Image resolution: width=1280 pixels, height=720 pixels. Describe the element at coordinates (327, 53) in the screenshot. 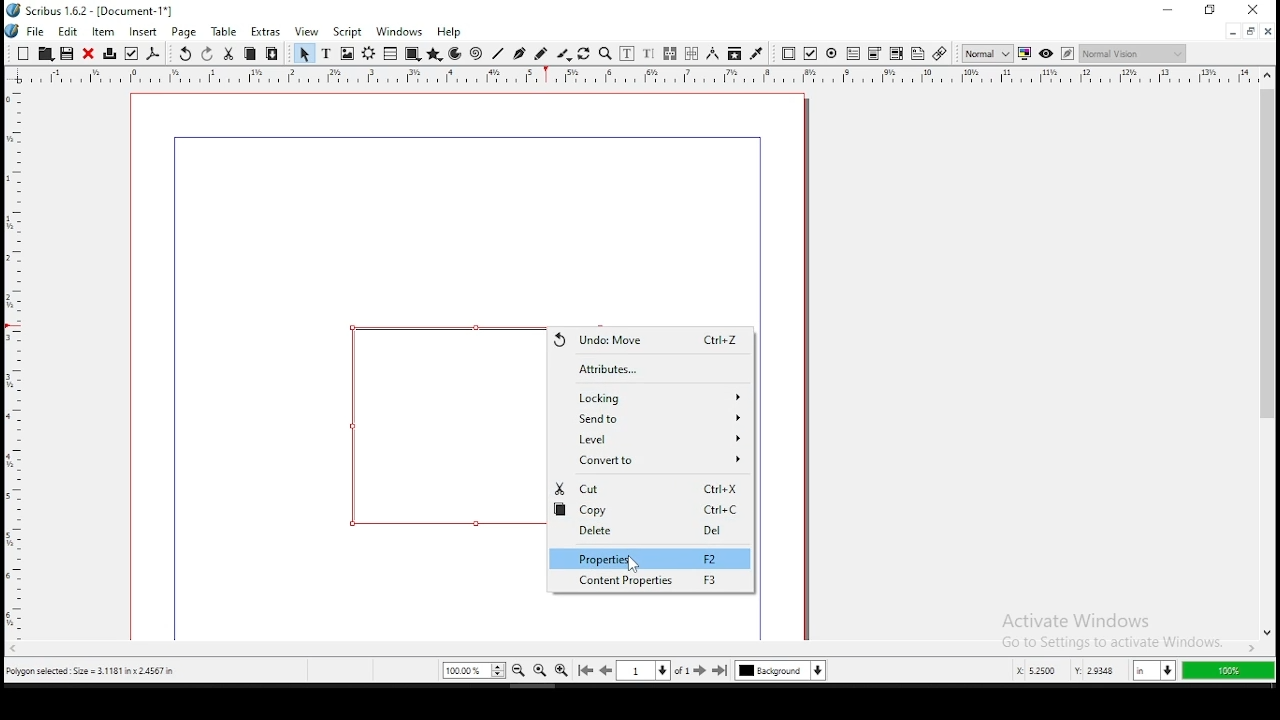

I see `text` at that location.